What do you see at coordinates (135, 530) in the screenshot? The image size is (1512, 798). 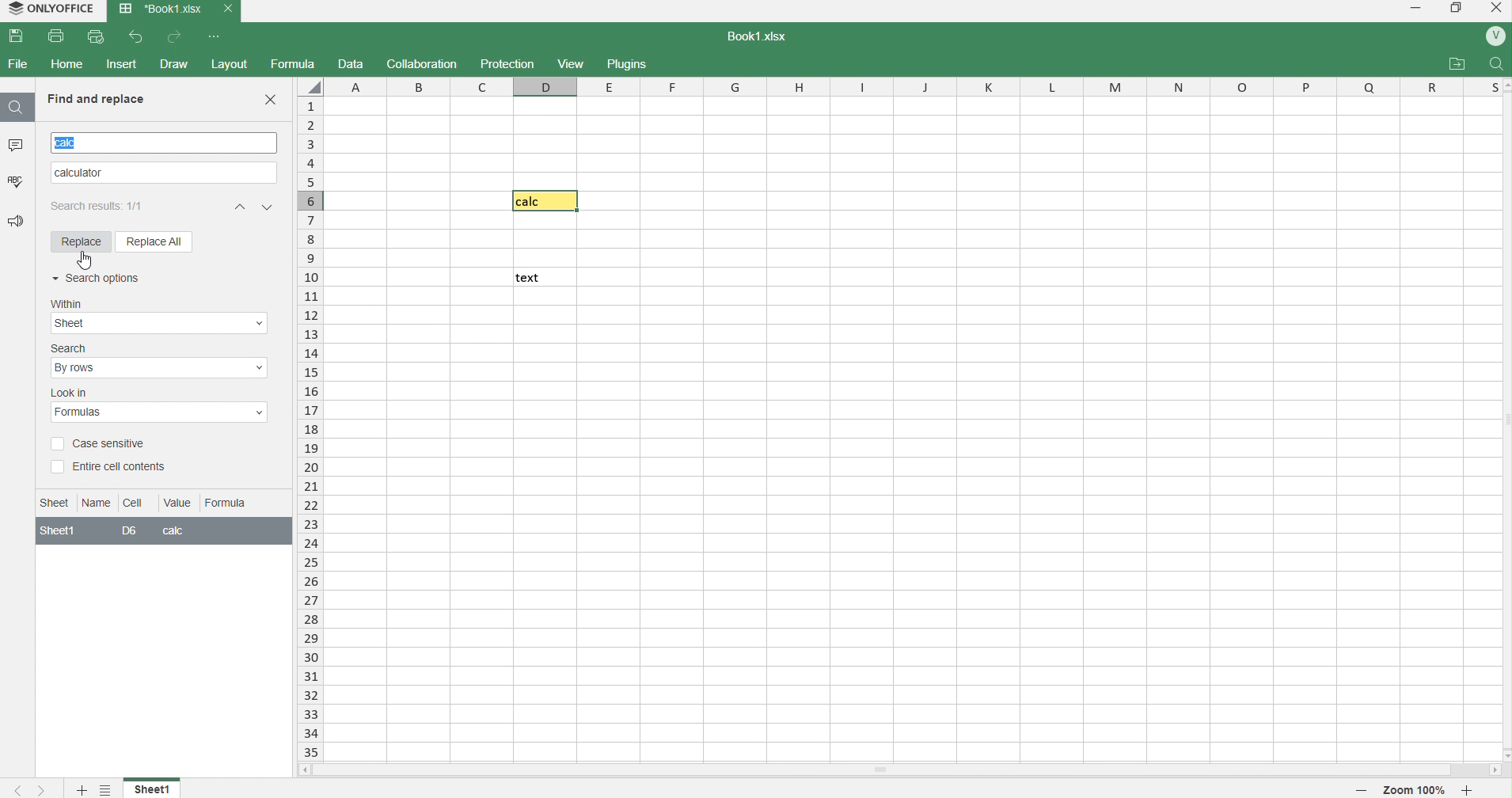 I see `D6` at bounding box center [135, 530].